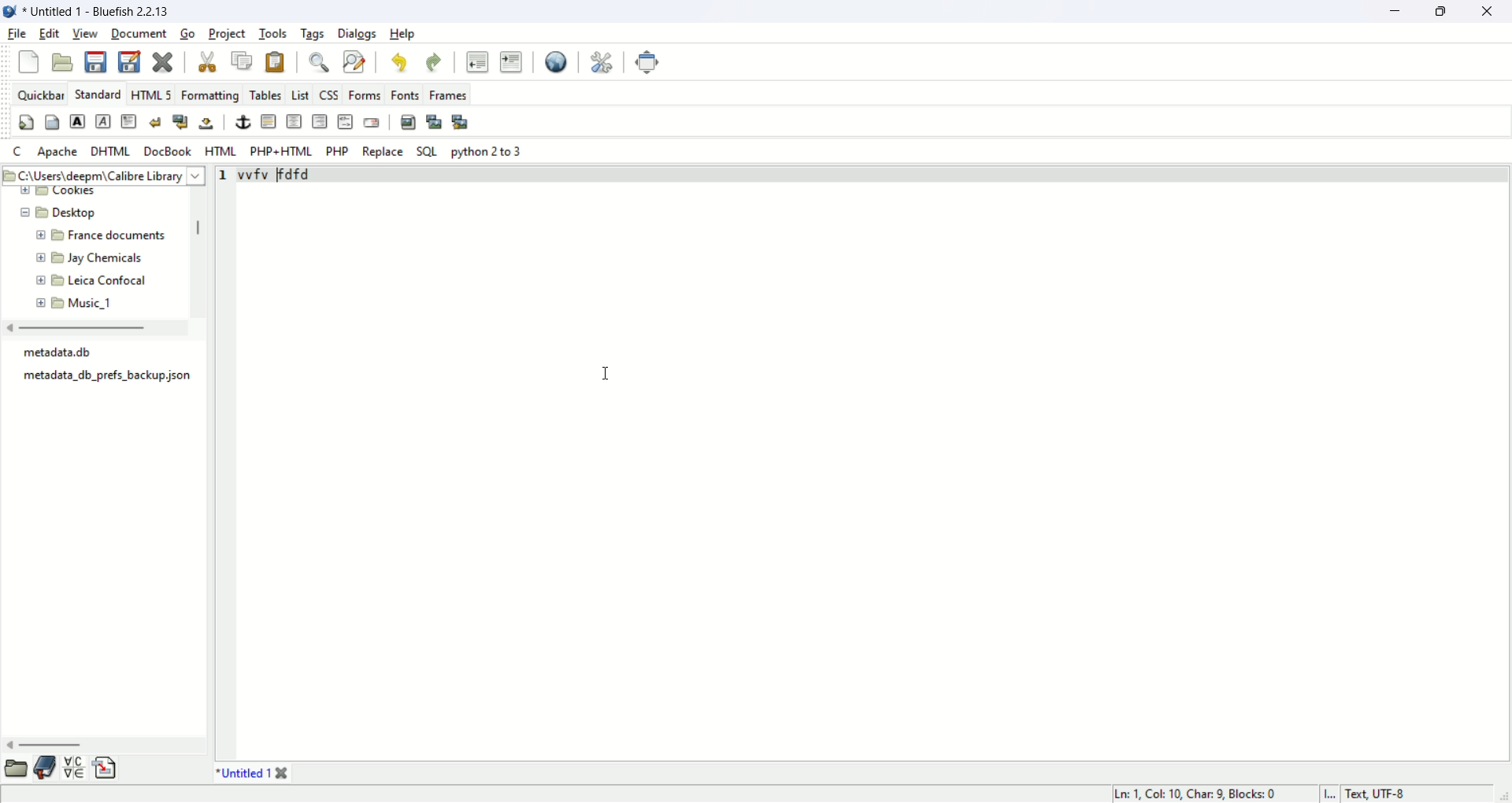 The image size is (1512, 803). What do you see at coordinates (365, 96) in the screenshot?
I see `forms` at bounding box center [365, 96].